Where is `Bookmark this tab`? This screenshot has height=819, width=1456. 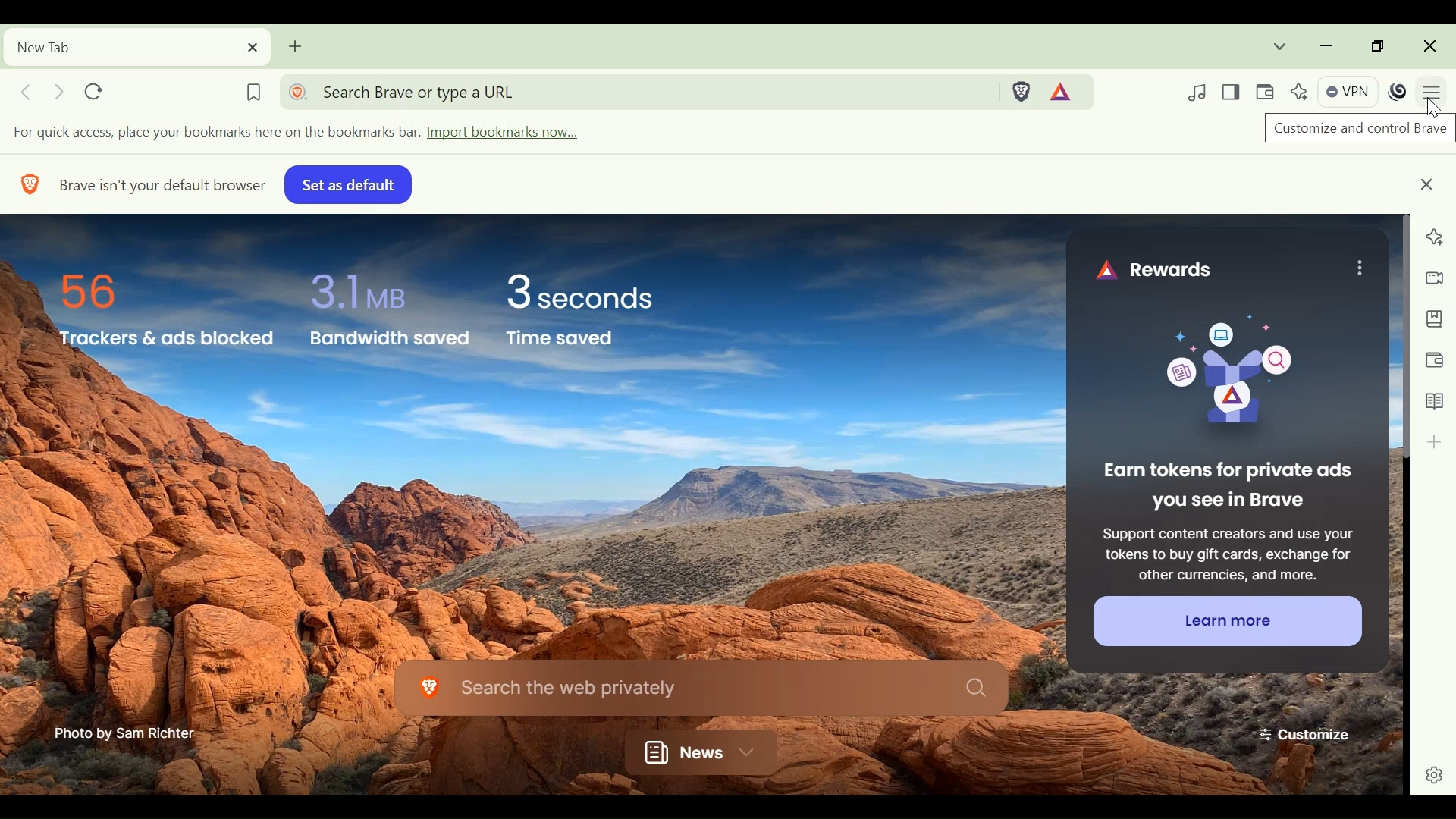 Bookmark this tab is located at coordinates (252, 88).